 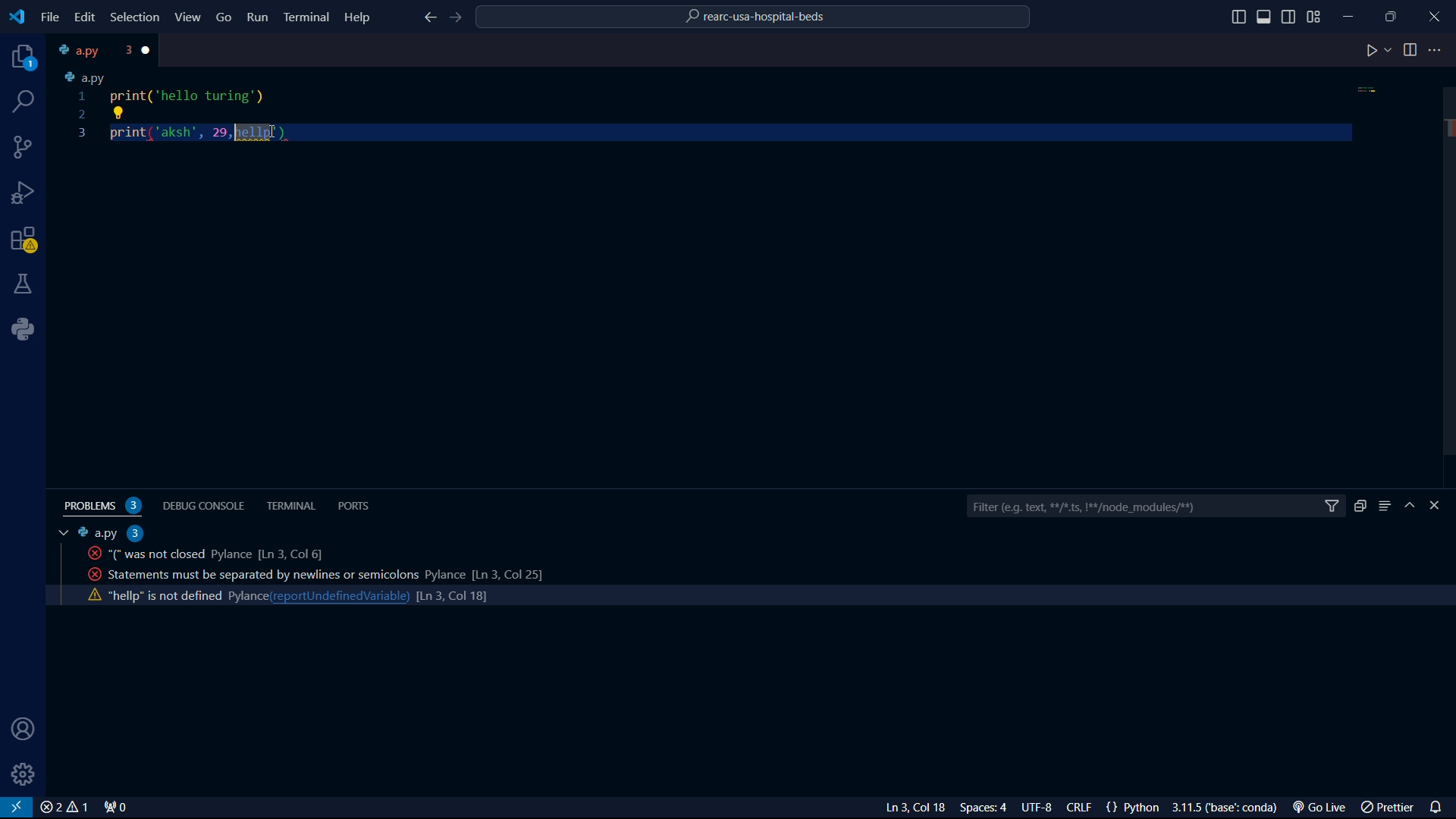 I want to click on line count, so click(x=451, y=598).